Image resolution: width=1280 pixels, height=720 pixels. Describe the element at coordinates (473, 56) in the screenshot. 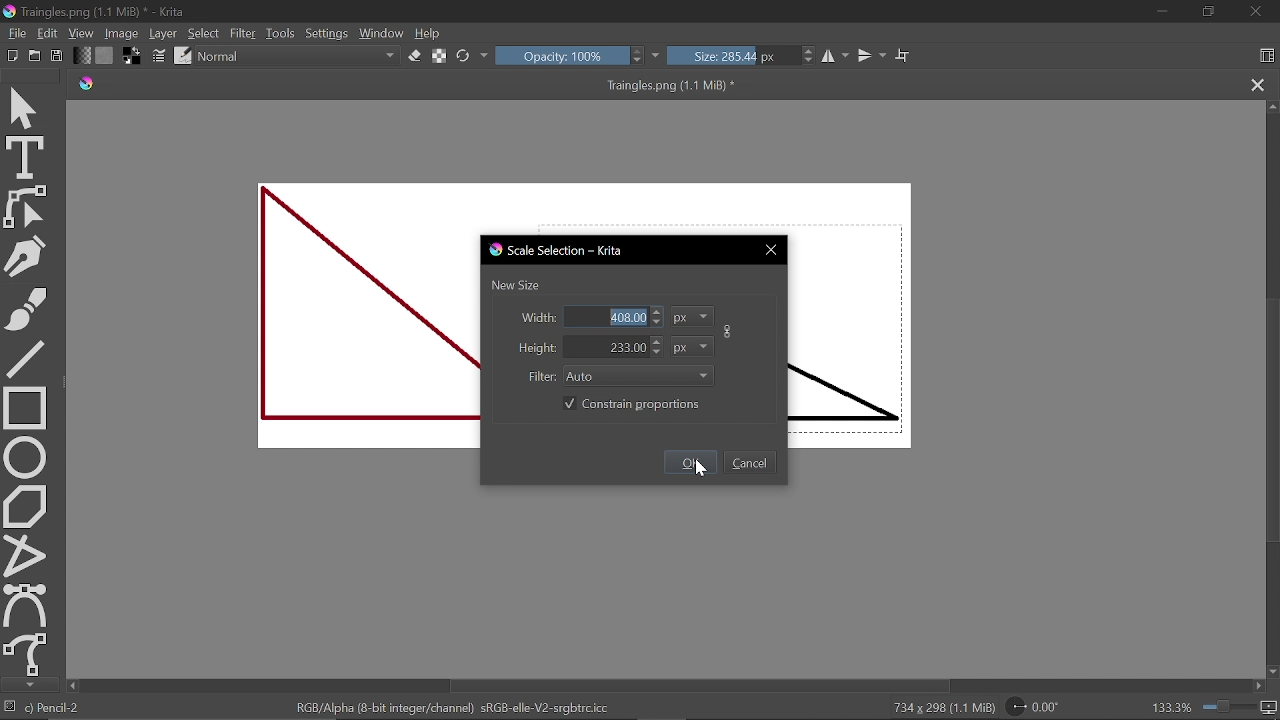

I see `Reload original preset` at that location.